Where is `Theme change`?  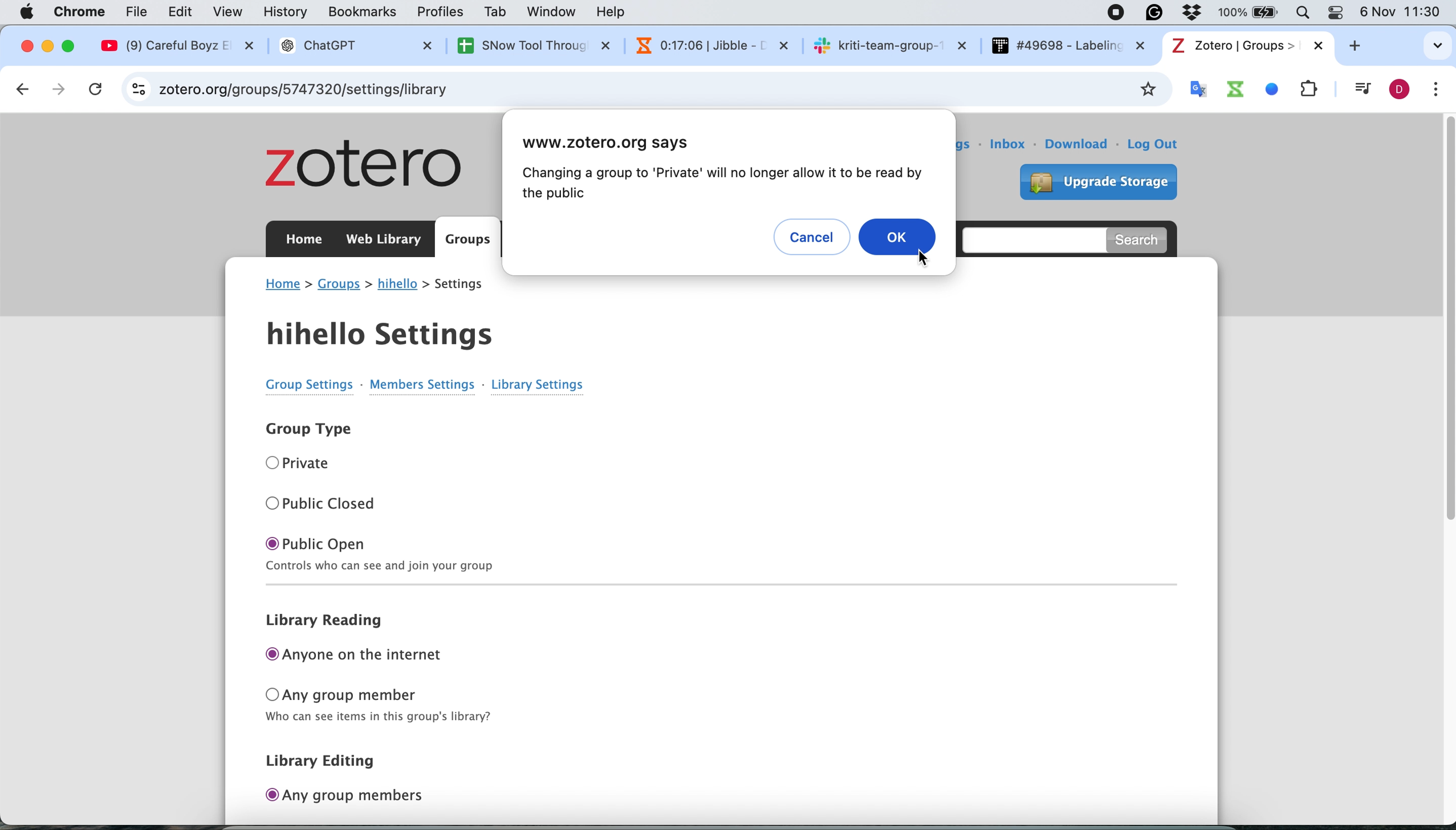
Theme change is located at coordinates (1333, 11).